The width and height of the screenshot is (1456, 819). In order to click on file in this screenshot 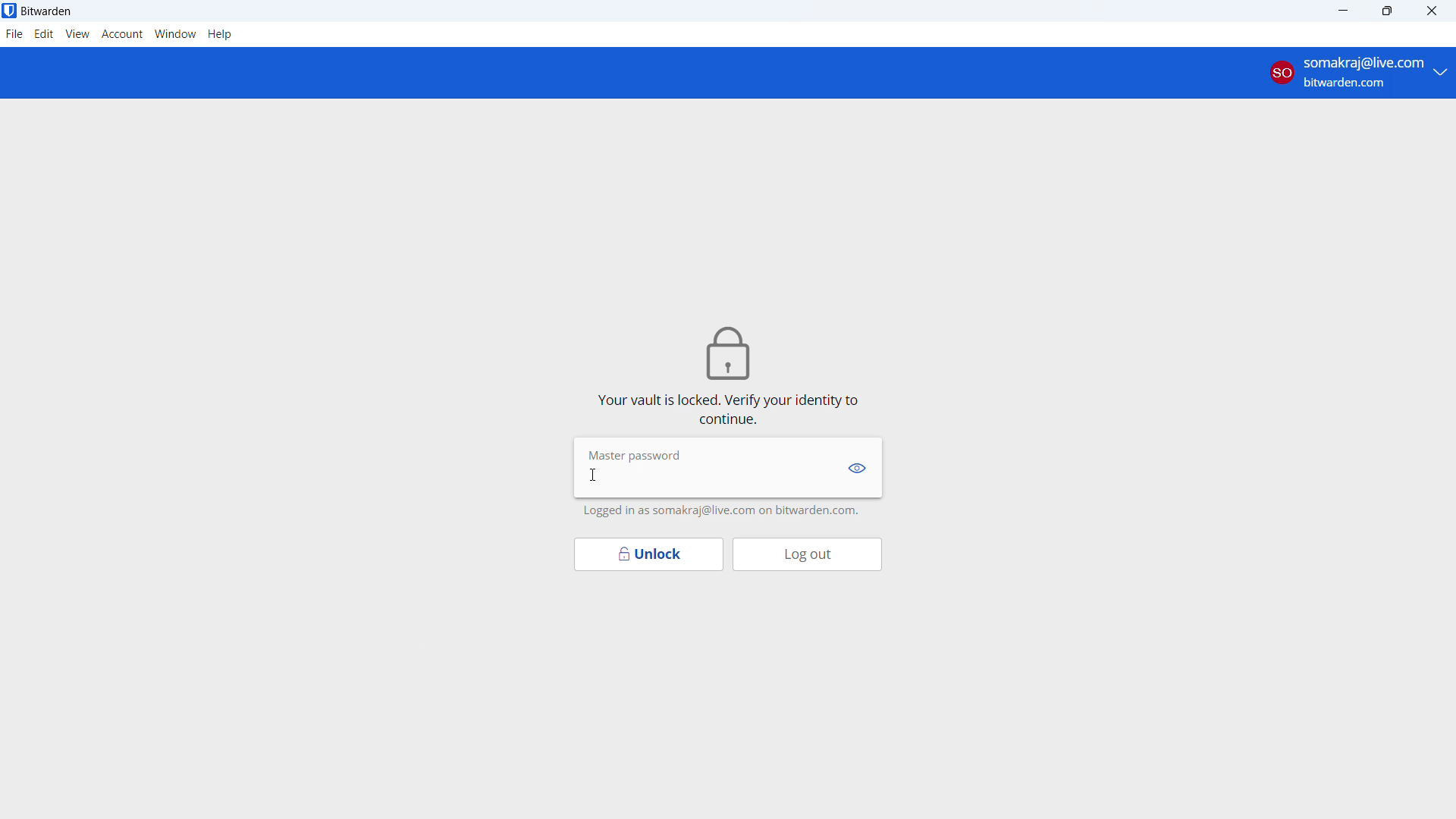, I will do `click(14, 35)`.